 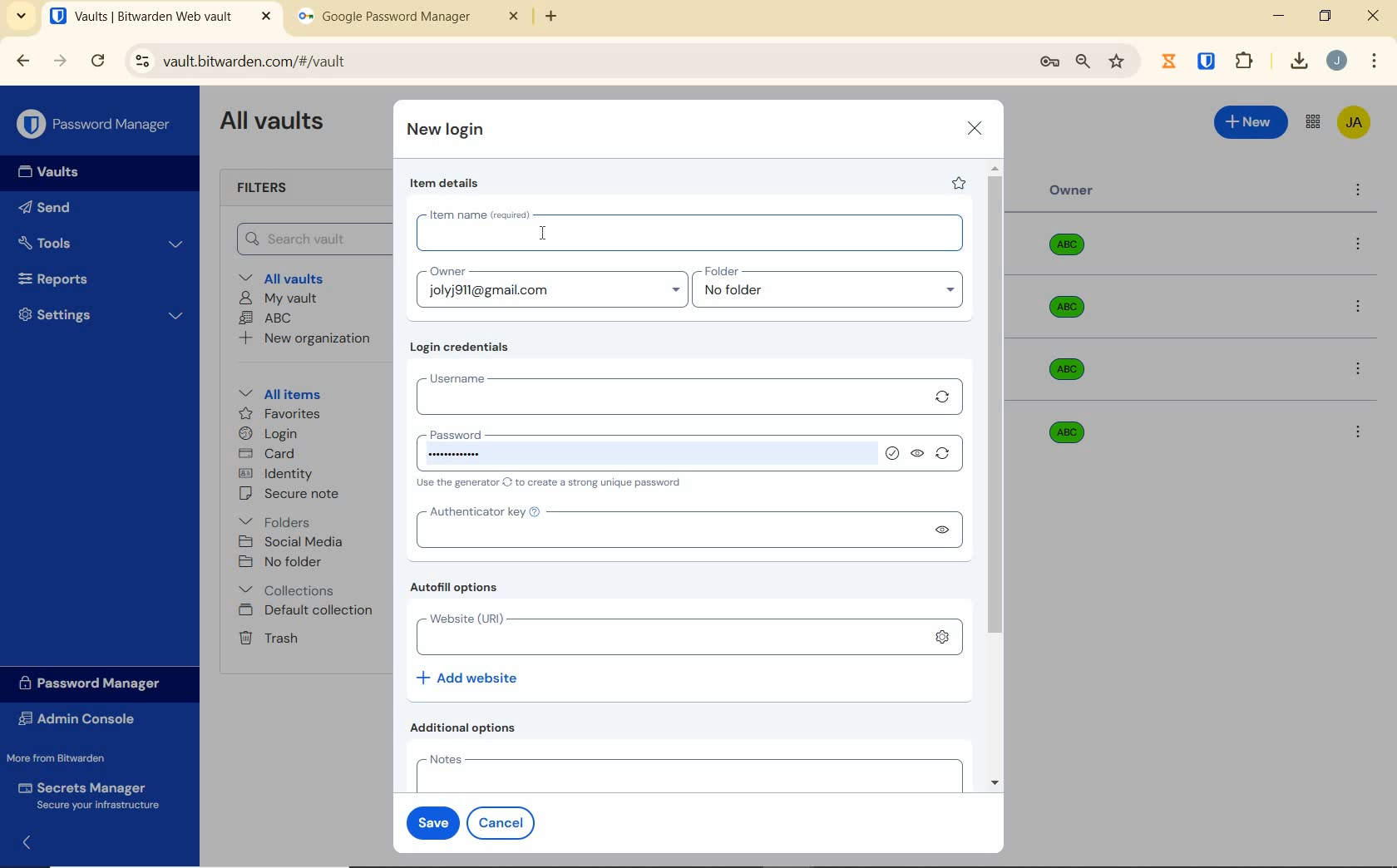 What do you see at coordinates (667, 394) in the screenshot?
I see `username` at bounding box center [667, 394].